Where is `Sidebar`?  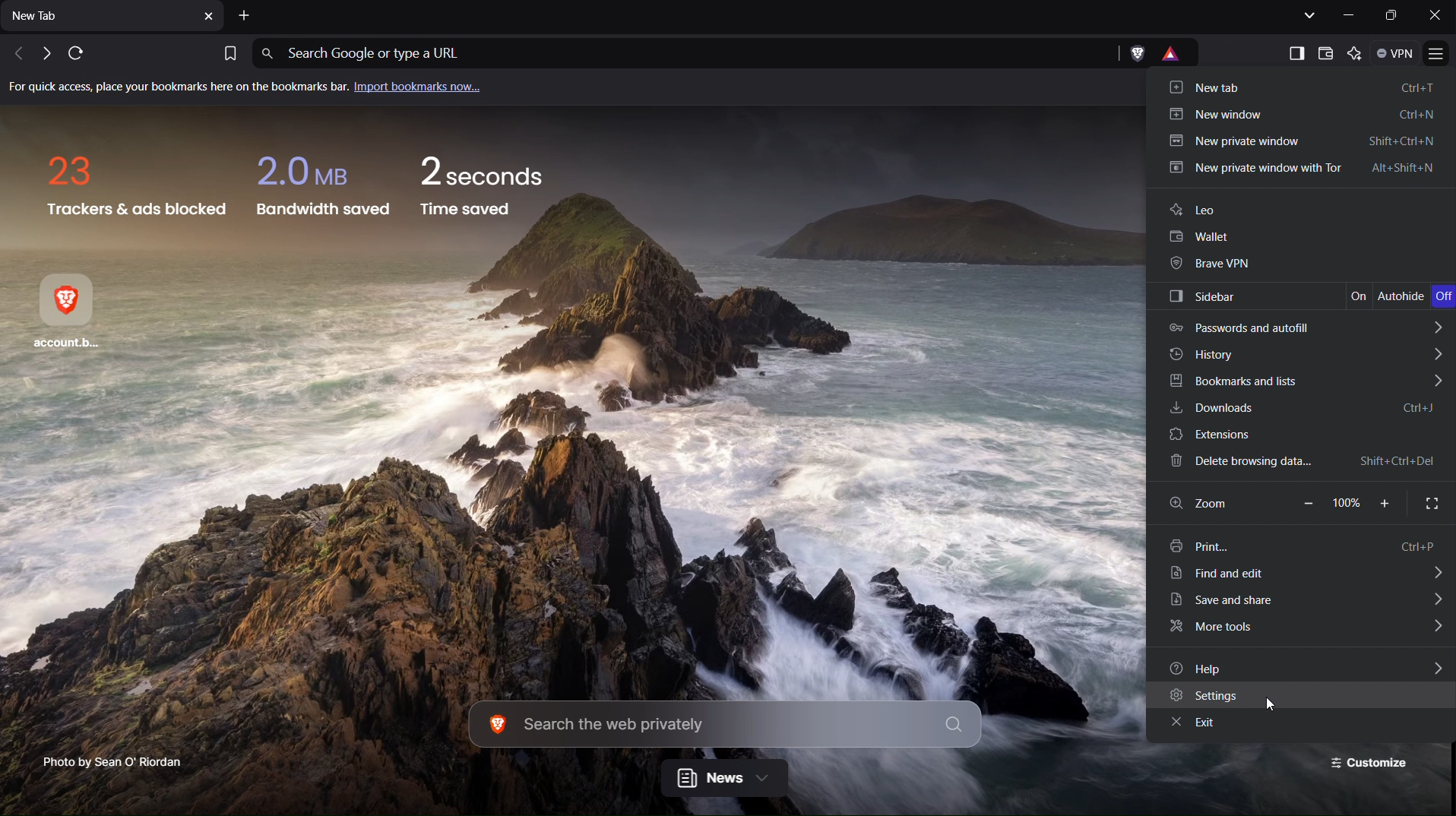 Sidebar is located at coordinates (1251, 296).